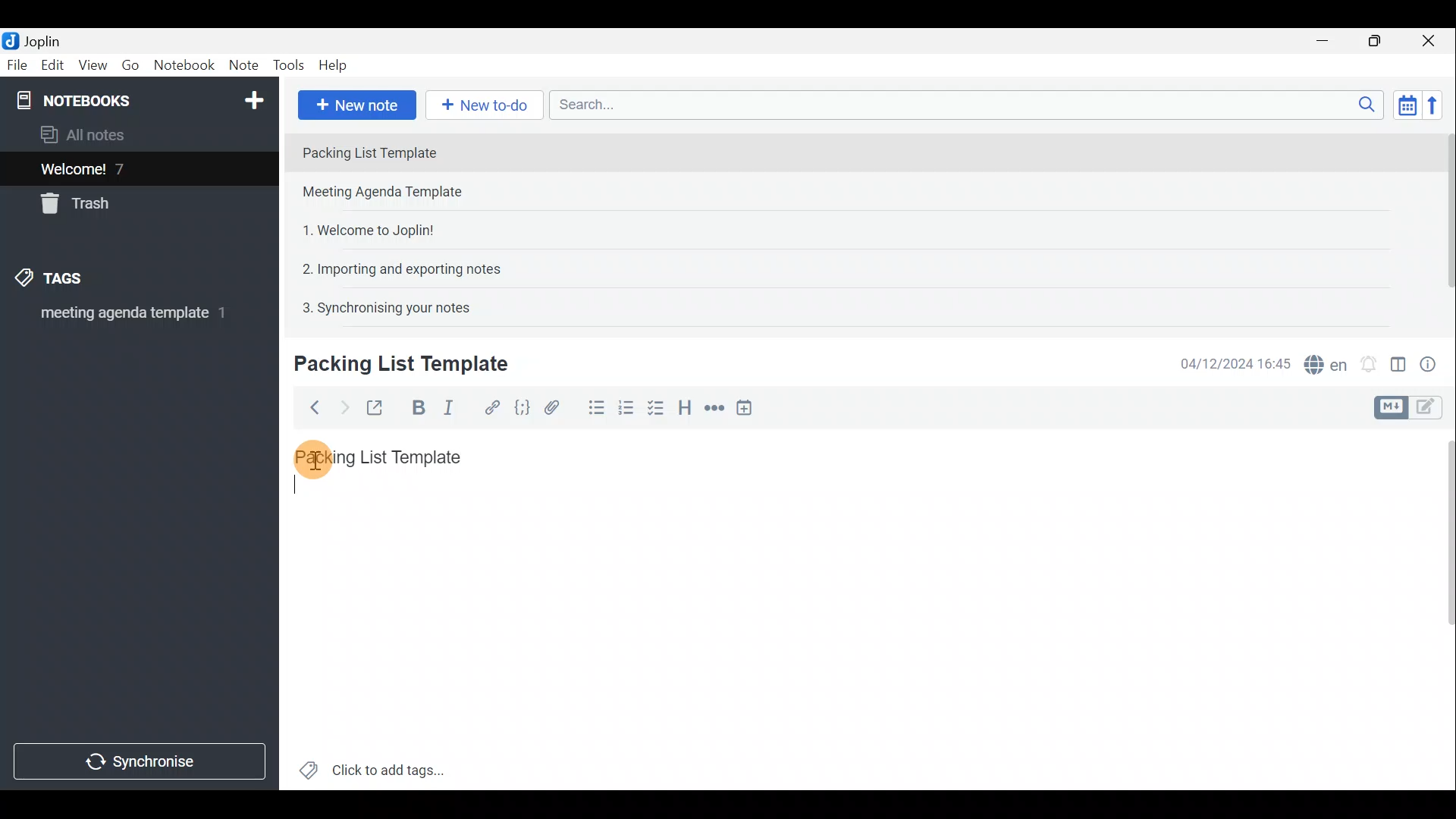 Image resolution: width=1456 pixels, height=819 pixels. What do you see at coordinates (1380, 41) in the screenshot?
I see `Maximise` at bounding box center [1380, 41].